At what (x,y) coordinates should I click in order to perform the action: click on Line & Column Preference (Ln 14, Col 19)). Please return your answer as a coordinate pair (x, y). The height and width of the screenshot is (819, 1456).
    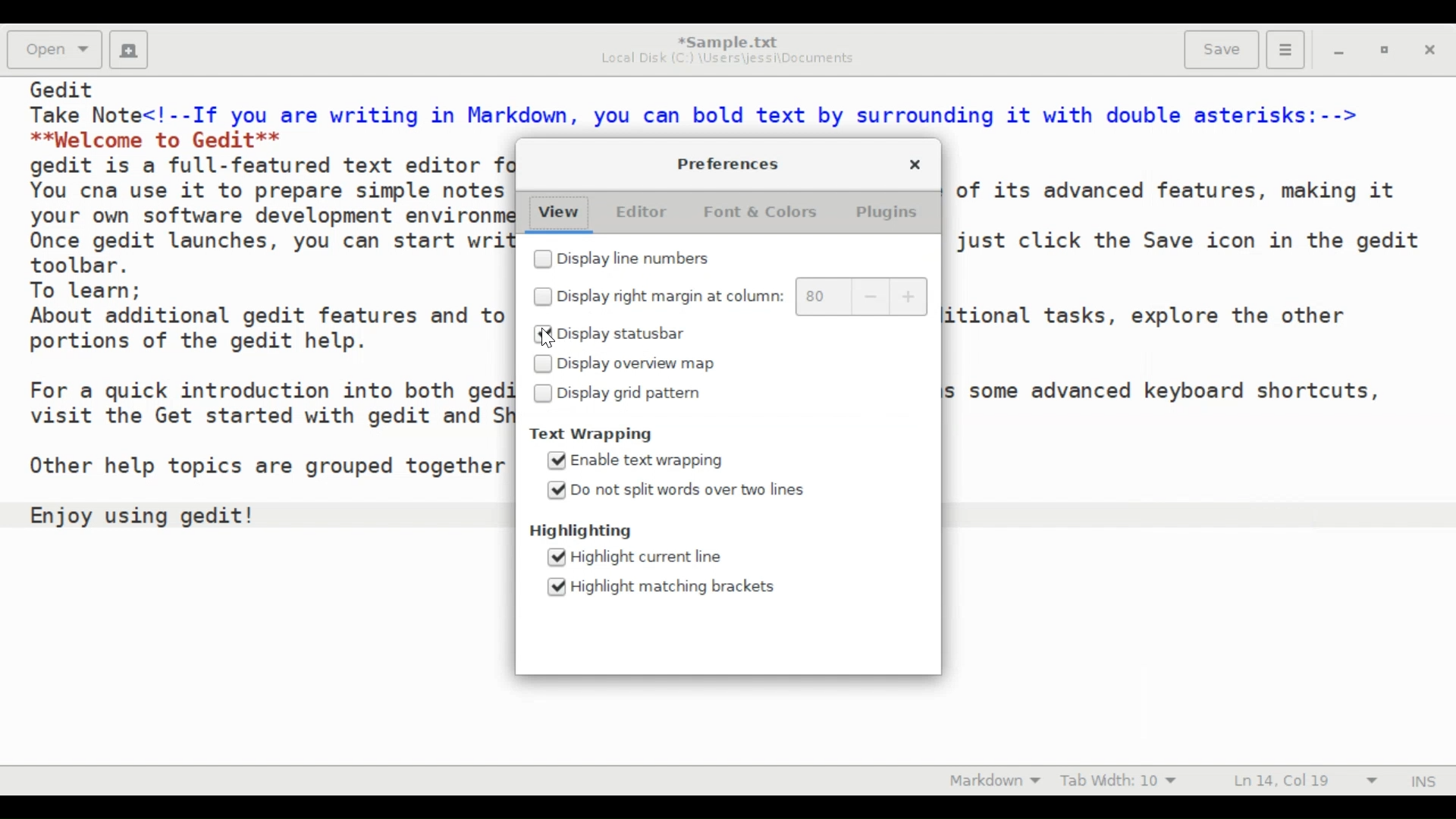
    Looking at the image, I should click on (1307, 781).